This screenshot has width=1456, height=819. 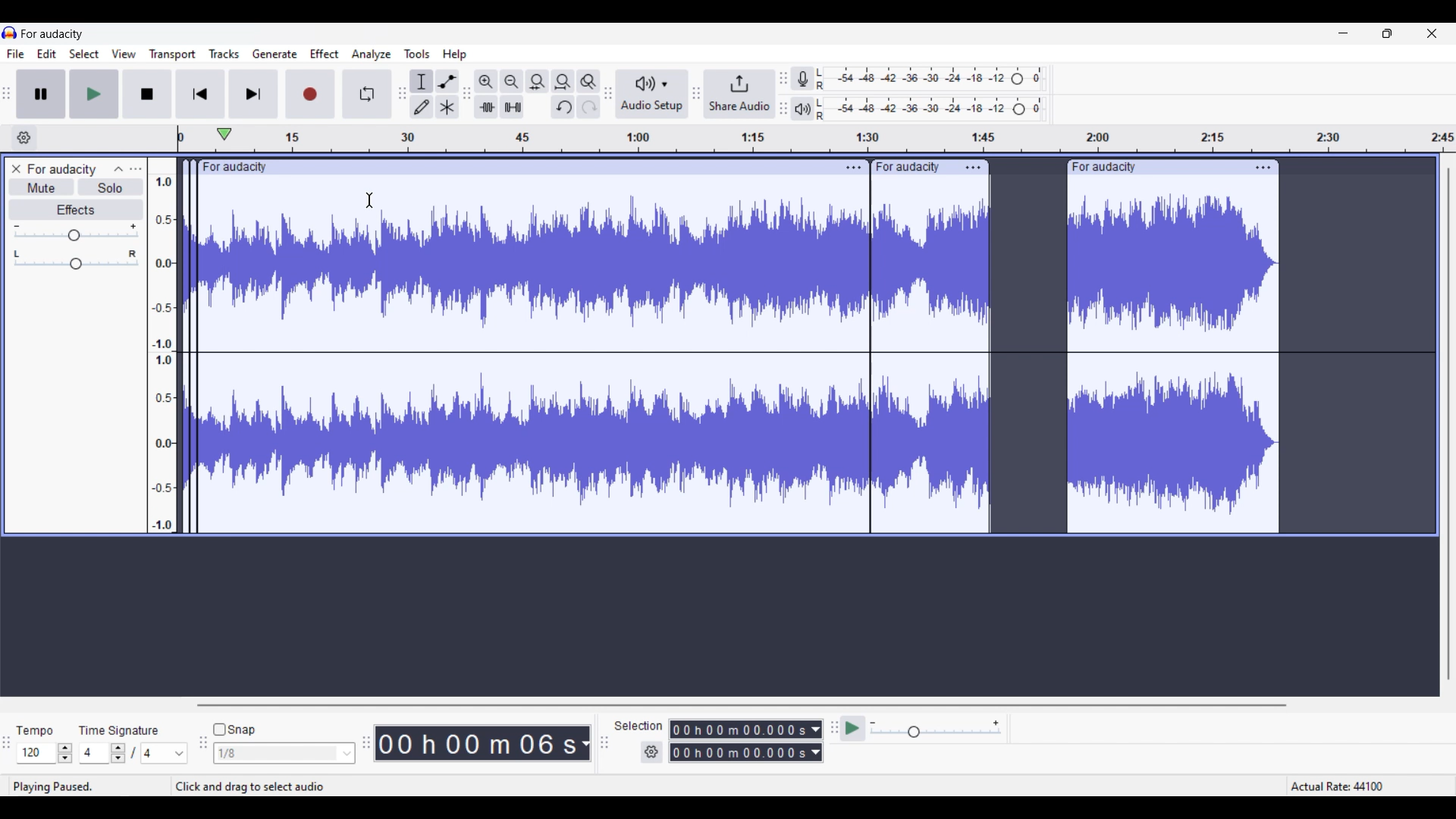 I want to click on tempo, so click(x=35, y=730).